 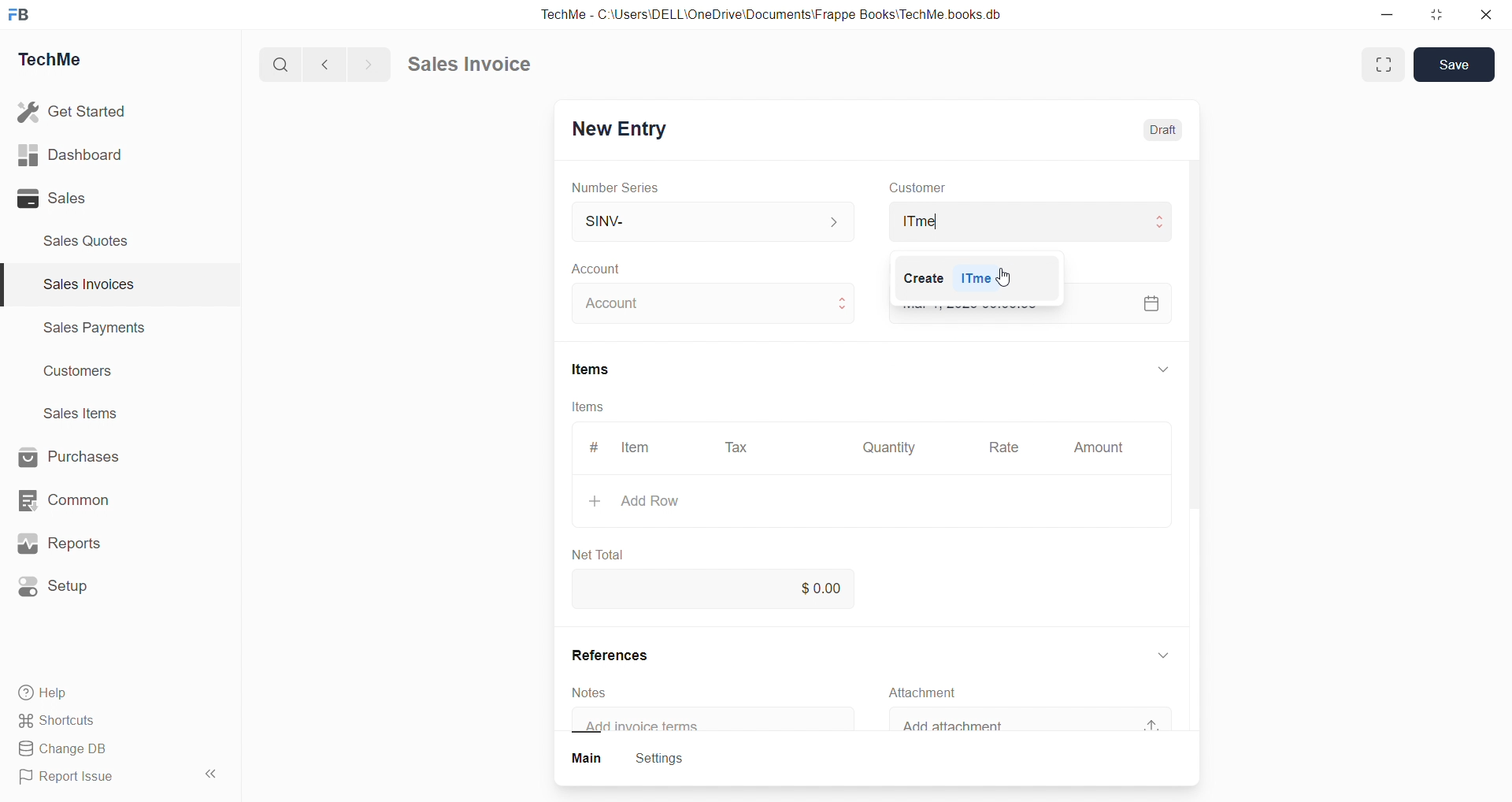 I want to click on Draft, so click(x=1169, y=132).